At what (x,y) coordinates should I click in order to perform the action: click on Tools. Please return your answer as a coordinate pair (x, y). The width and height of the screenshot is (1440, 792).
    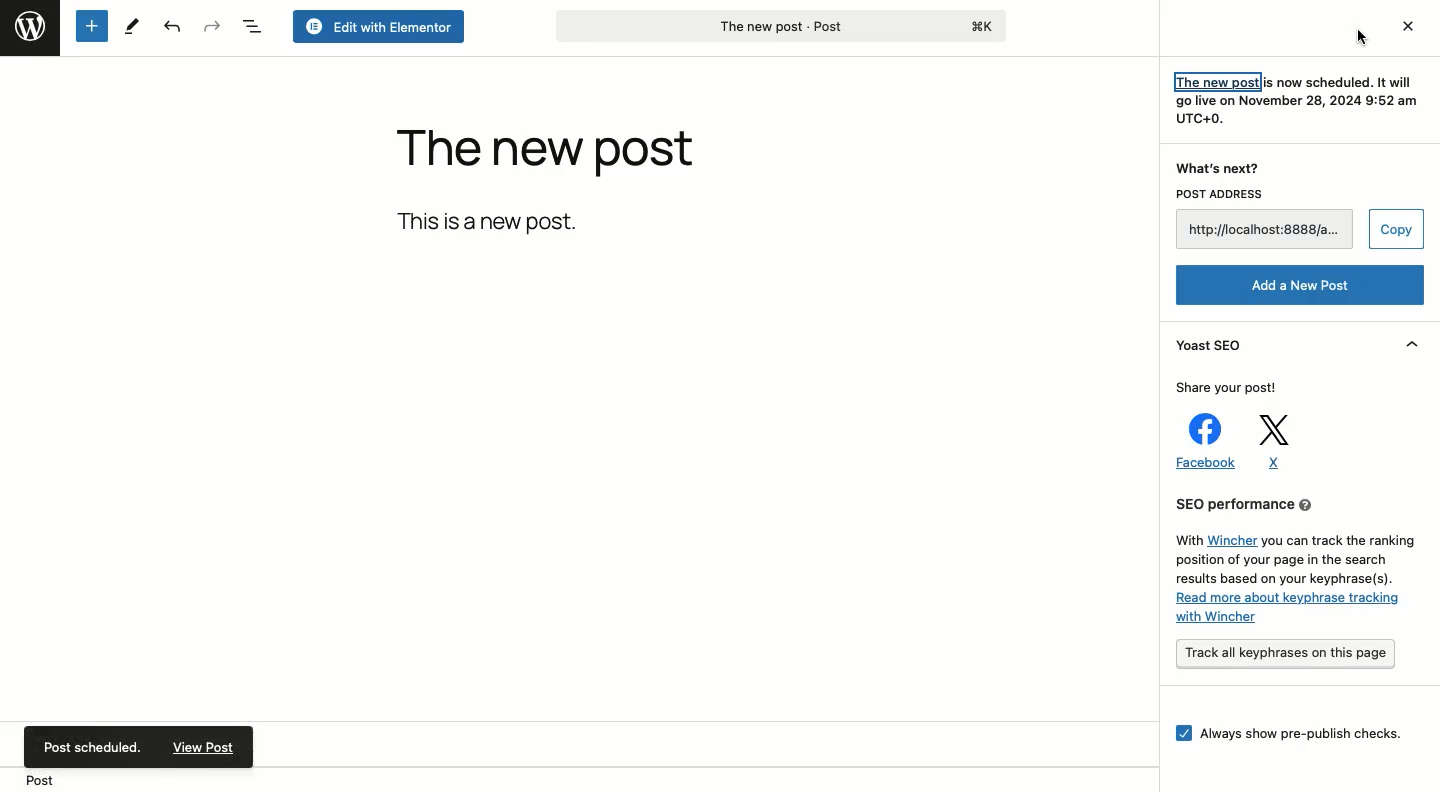
    Looking at the image, I should click on (132, 25).